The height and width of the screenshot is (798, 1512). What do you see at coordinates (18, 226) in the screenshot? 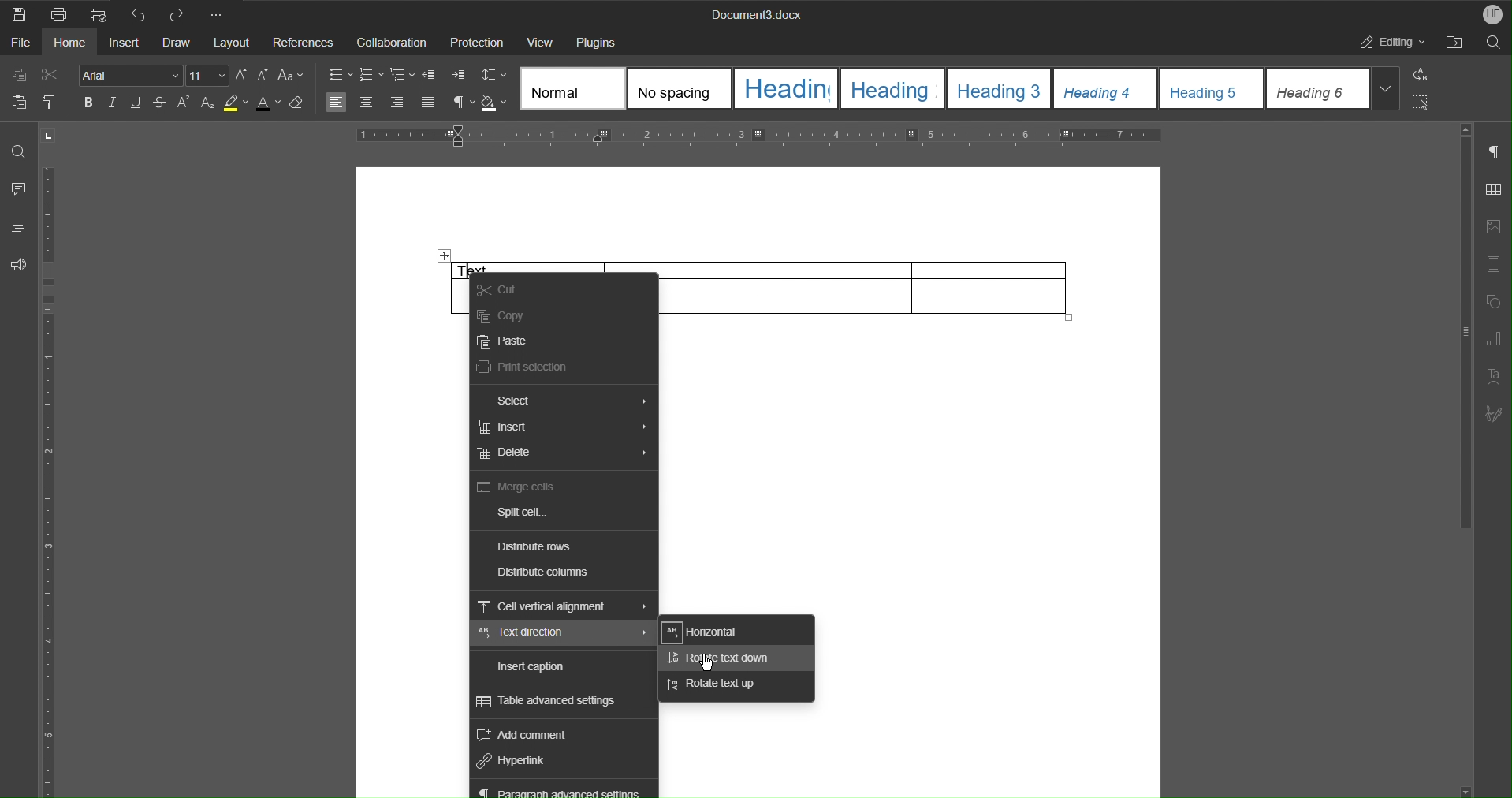
I see `Headings` at bounding box center [18, 226].